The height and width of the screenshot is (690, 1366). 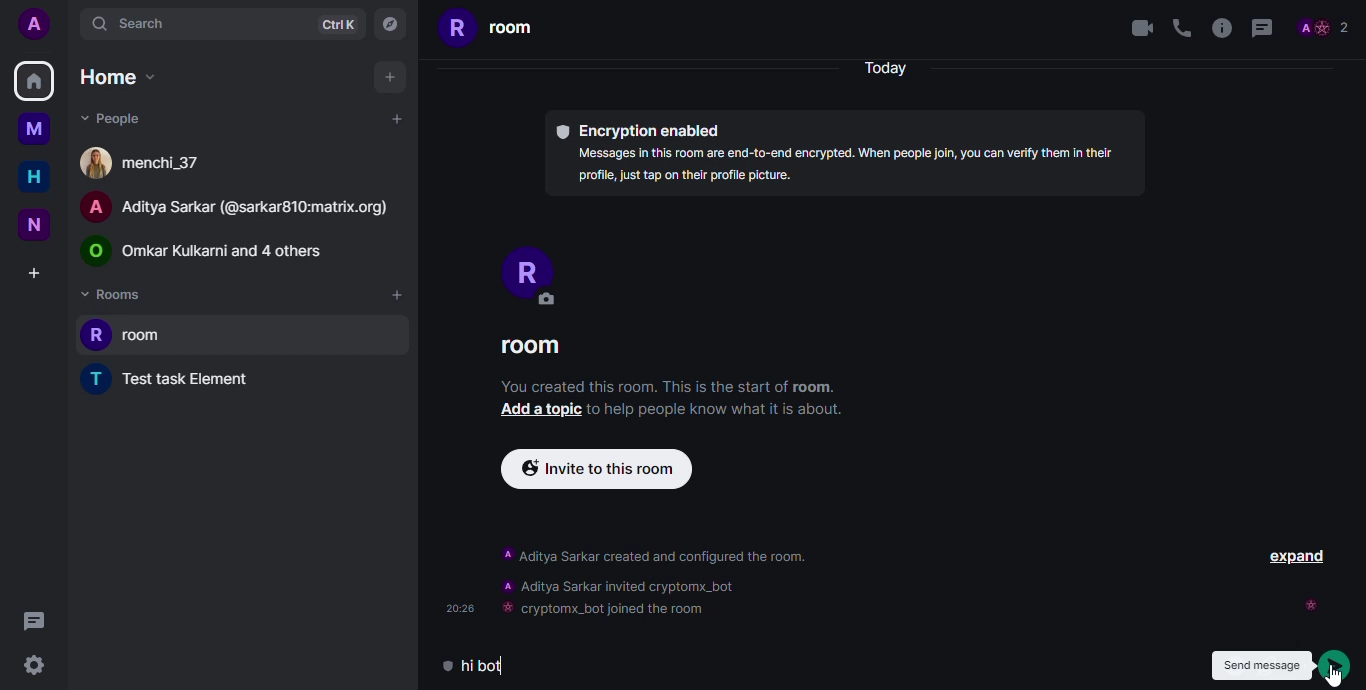 What do you see at coordinates (256, 211) in the screenshot?
I see `Aditya Sarkar (@sarkar810:matrix.org)` at bounding box center [256, 211].